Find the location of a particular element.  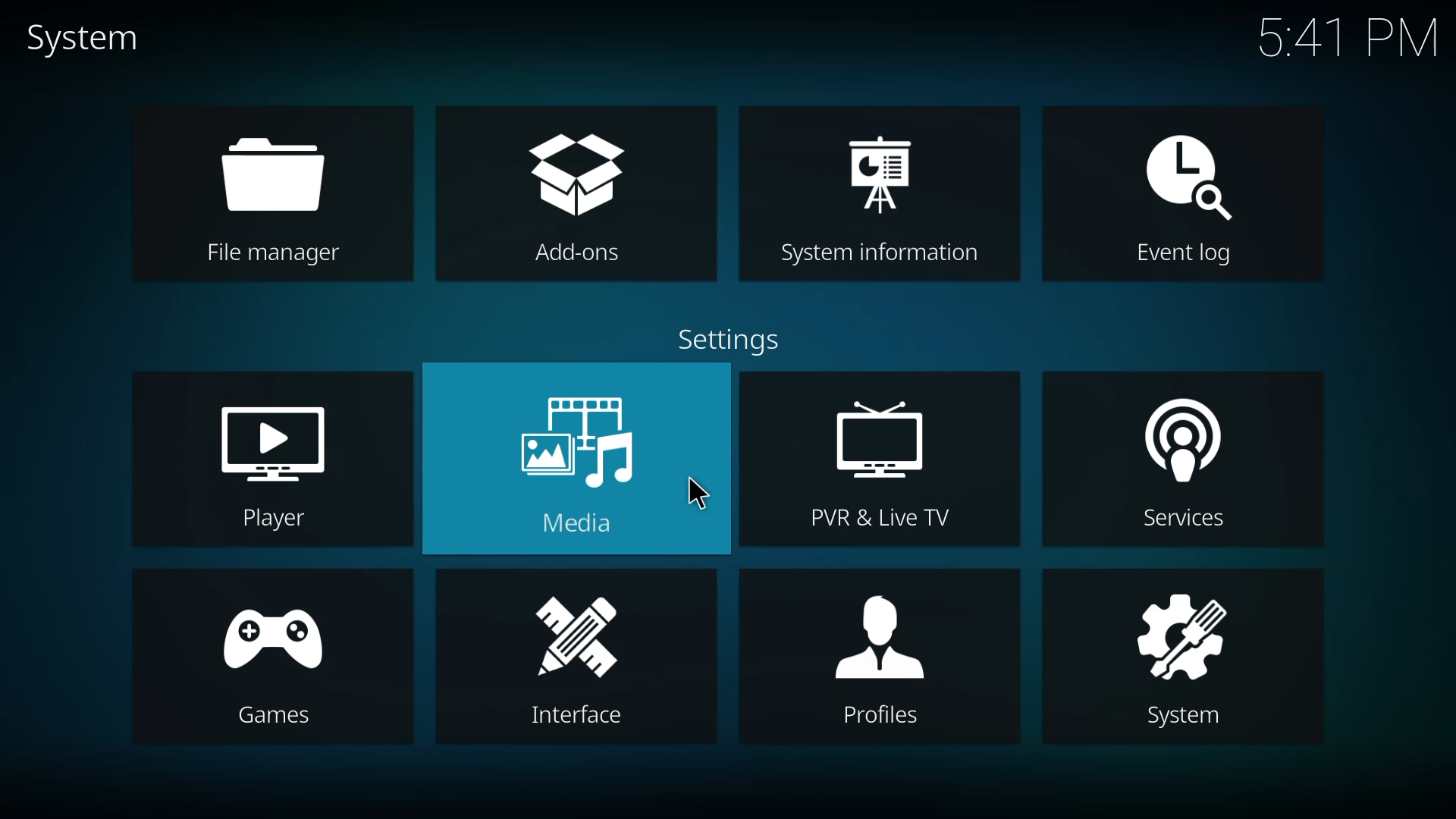

player is located at coordinates (275, 464).